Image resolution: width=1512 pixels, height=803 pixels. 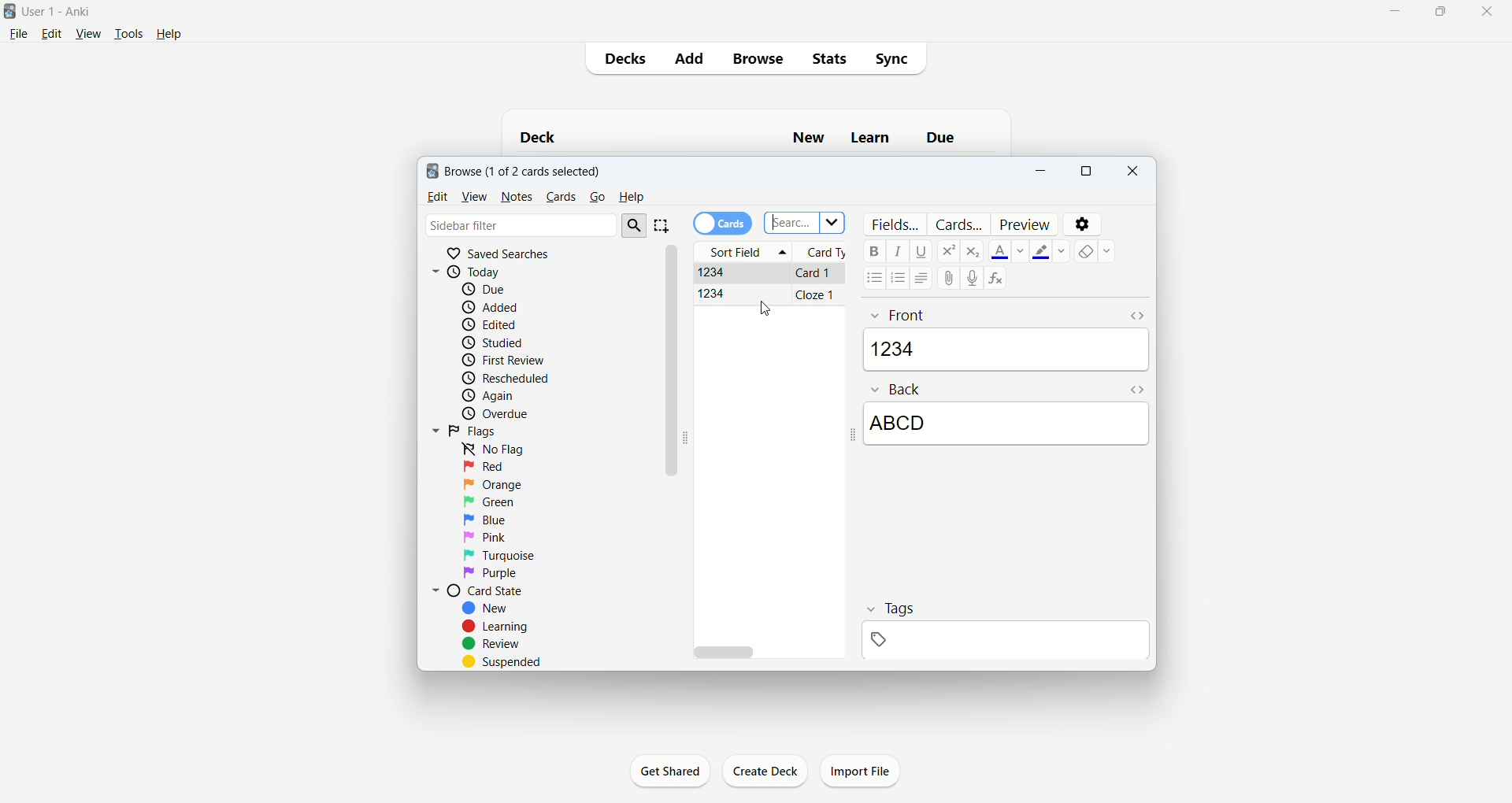 What do you see at coordinates (1080, 223) in the screenshot?
I see `settings` at bounding box center [1080, 223].